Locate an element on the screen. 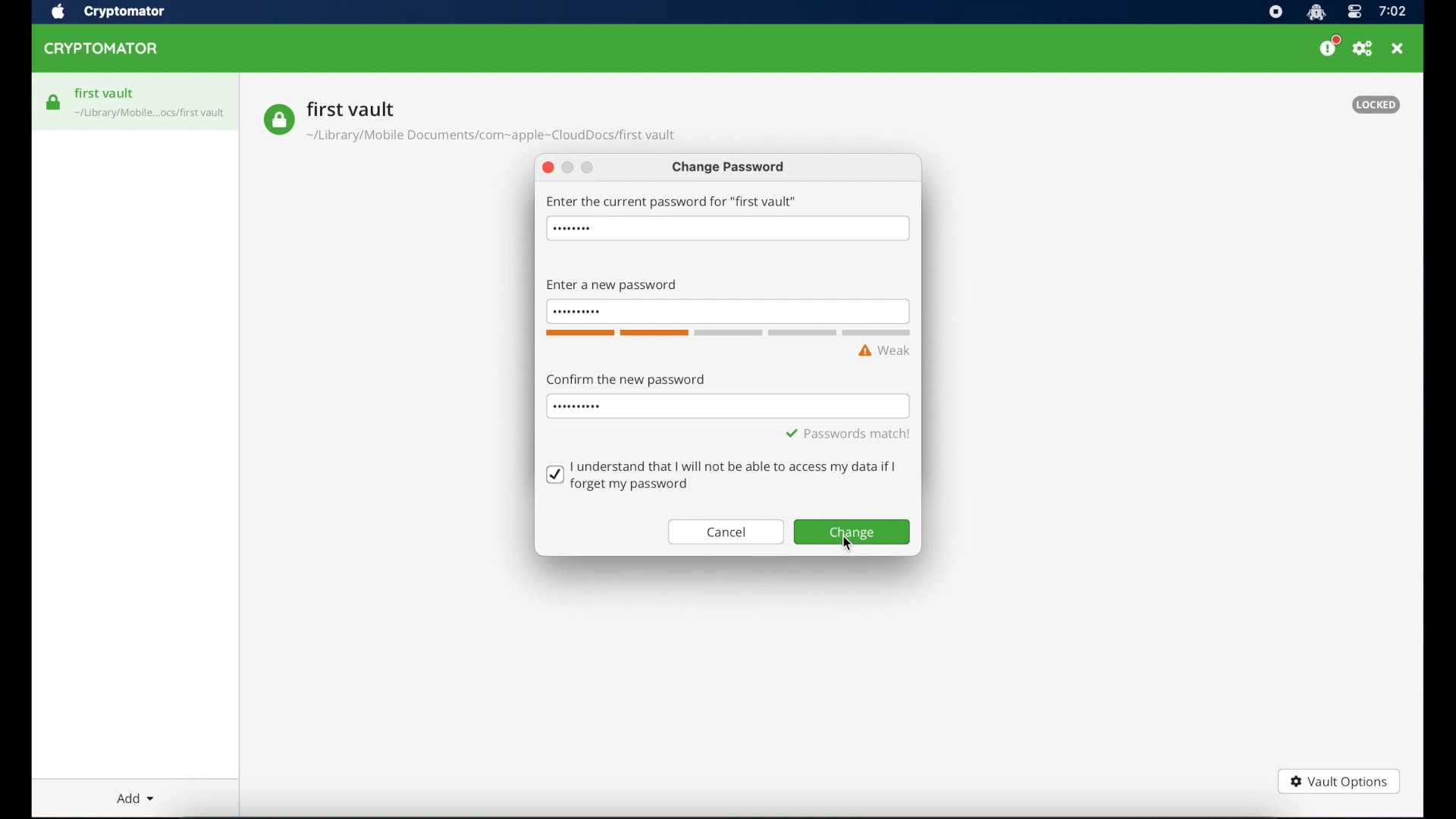 The width and height of the screenshot is (1456, 819). vault icon is located at coordinates (278, 120).